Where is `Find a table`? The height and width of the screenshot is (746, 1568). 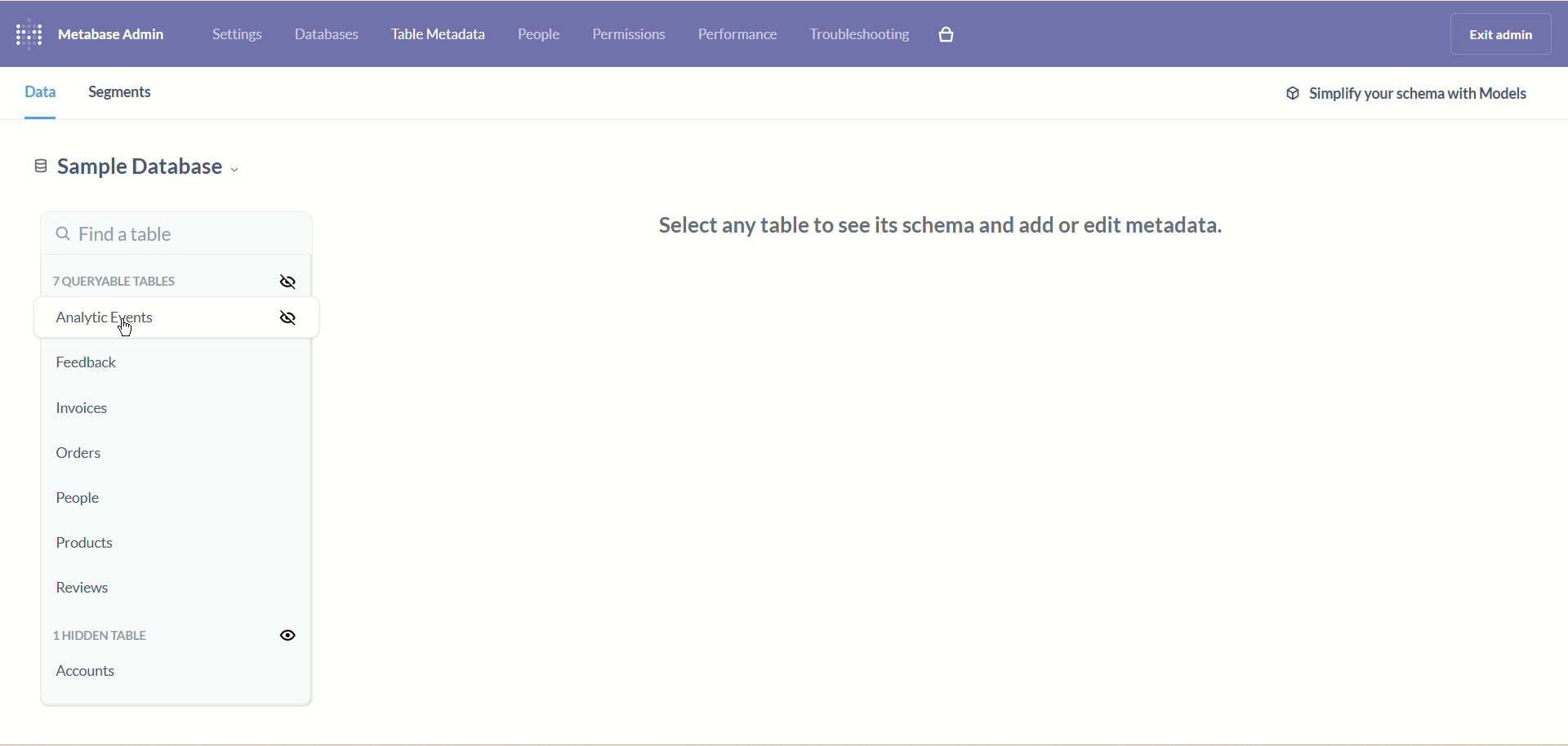
Find a table is located at coordinates (171, 233).